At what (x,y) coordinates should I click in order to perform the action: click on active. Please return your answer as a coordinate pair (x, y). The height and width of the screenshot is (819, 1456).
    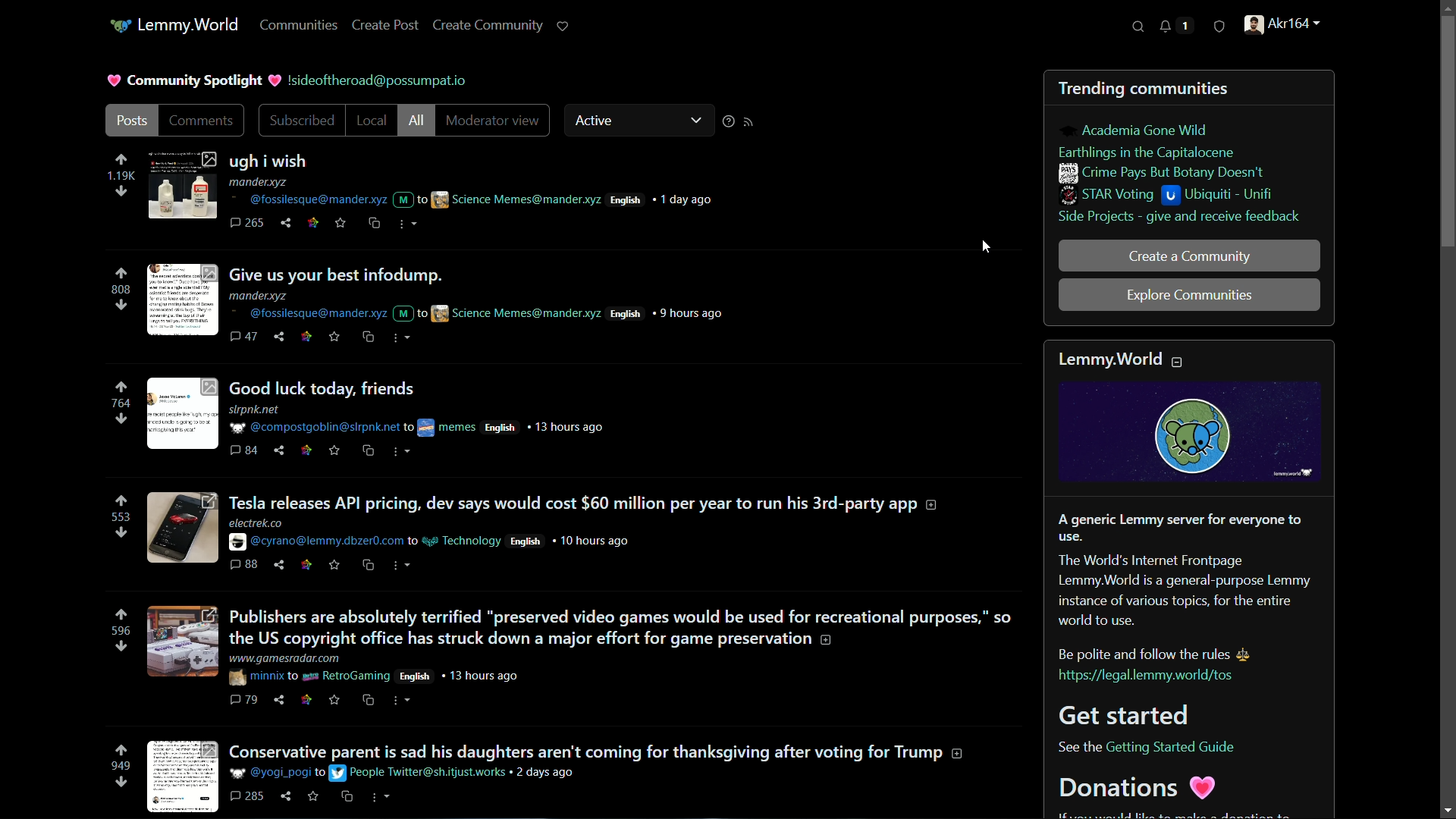
    Looking at the image, I should click on (641, 118).